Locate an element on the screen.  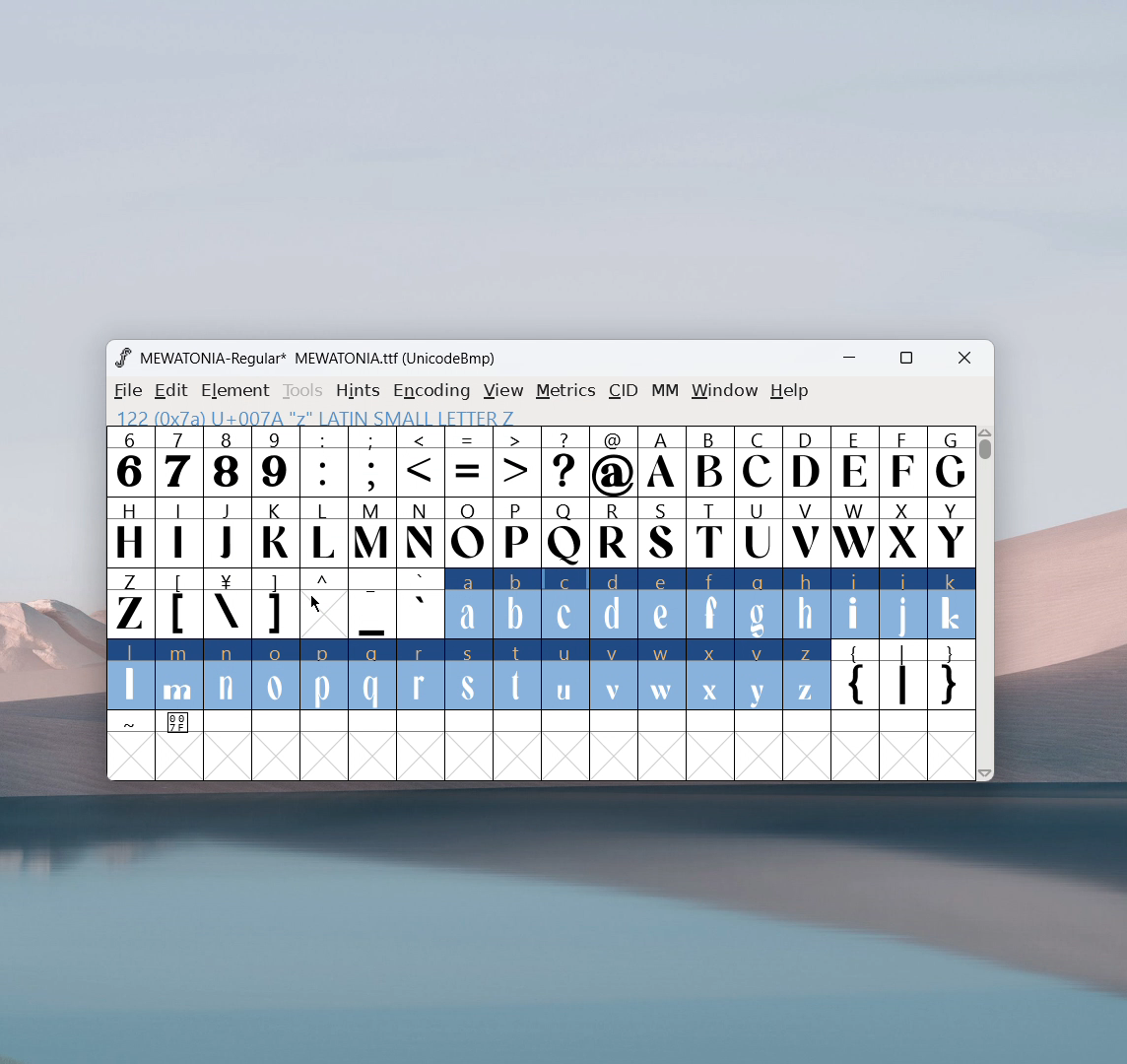
MEWATONIA-Regular* MEWATONIA.ttf (UnicodeBmp) is located at coordinates (321, 359).